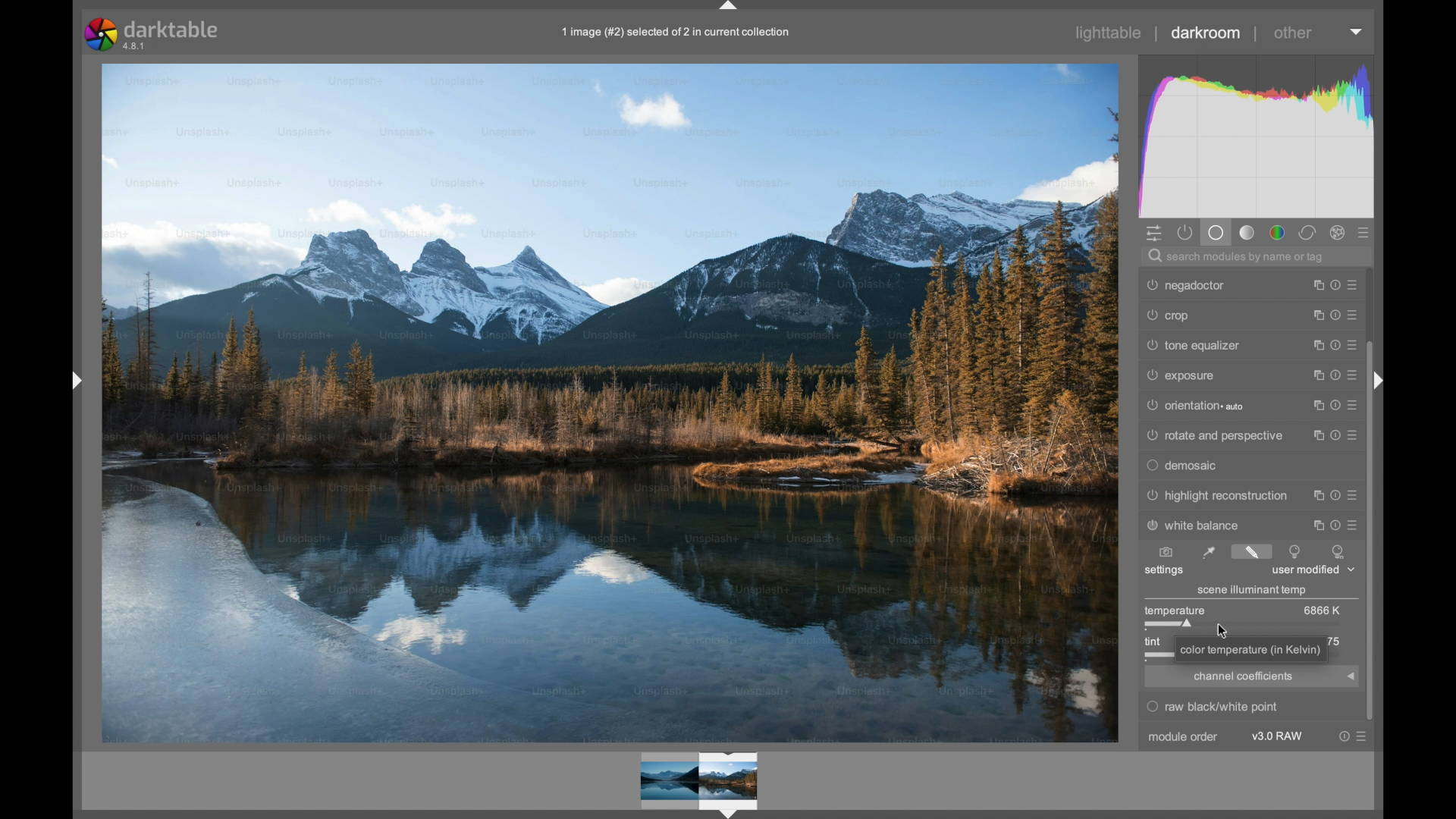  I want to click on presets, so click(1356, 401).